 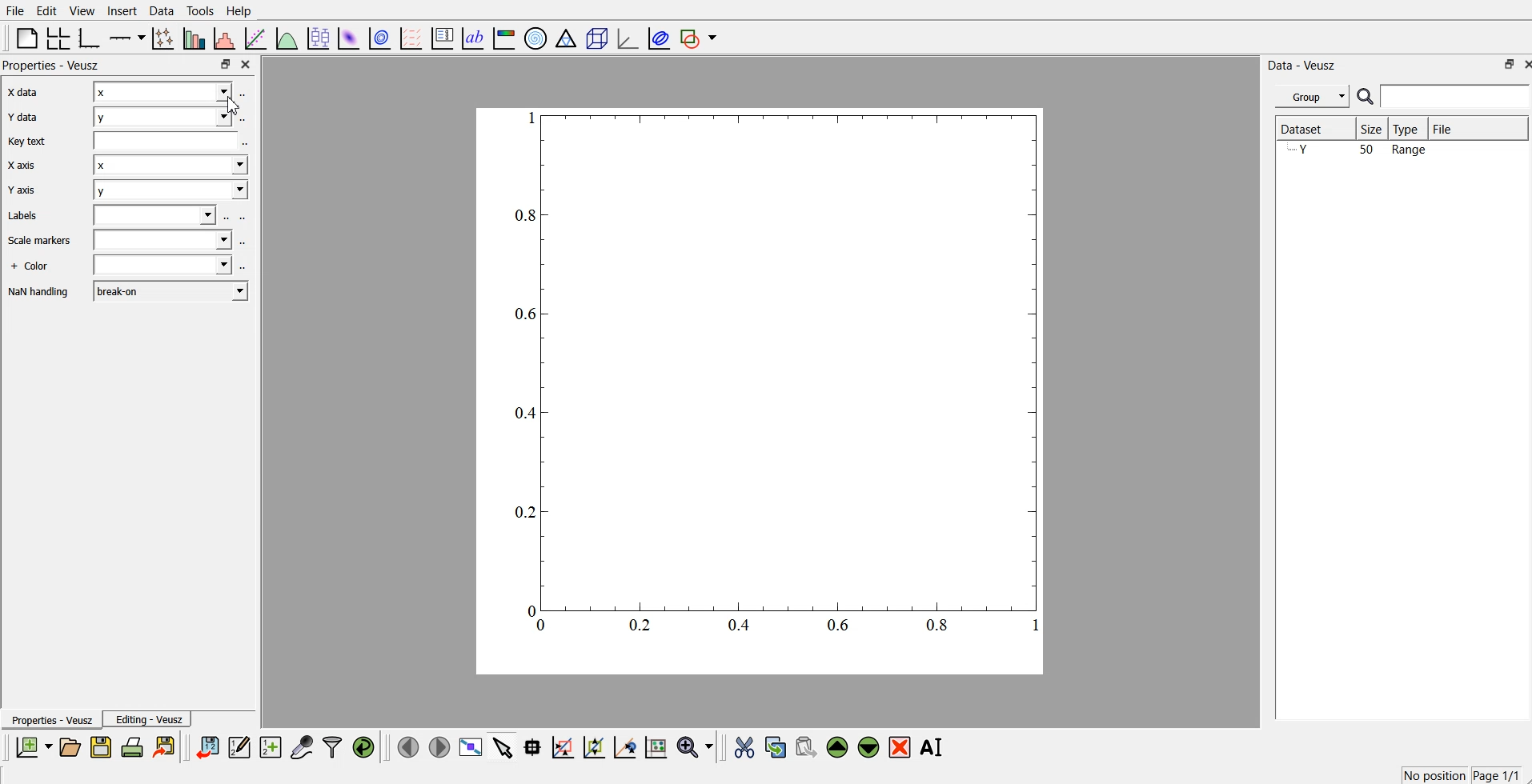 What do you see at coordinates (59, 37) in the screenshot?
I see `arrange the graph` at bounding box center [59, 37].